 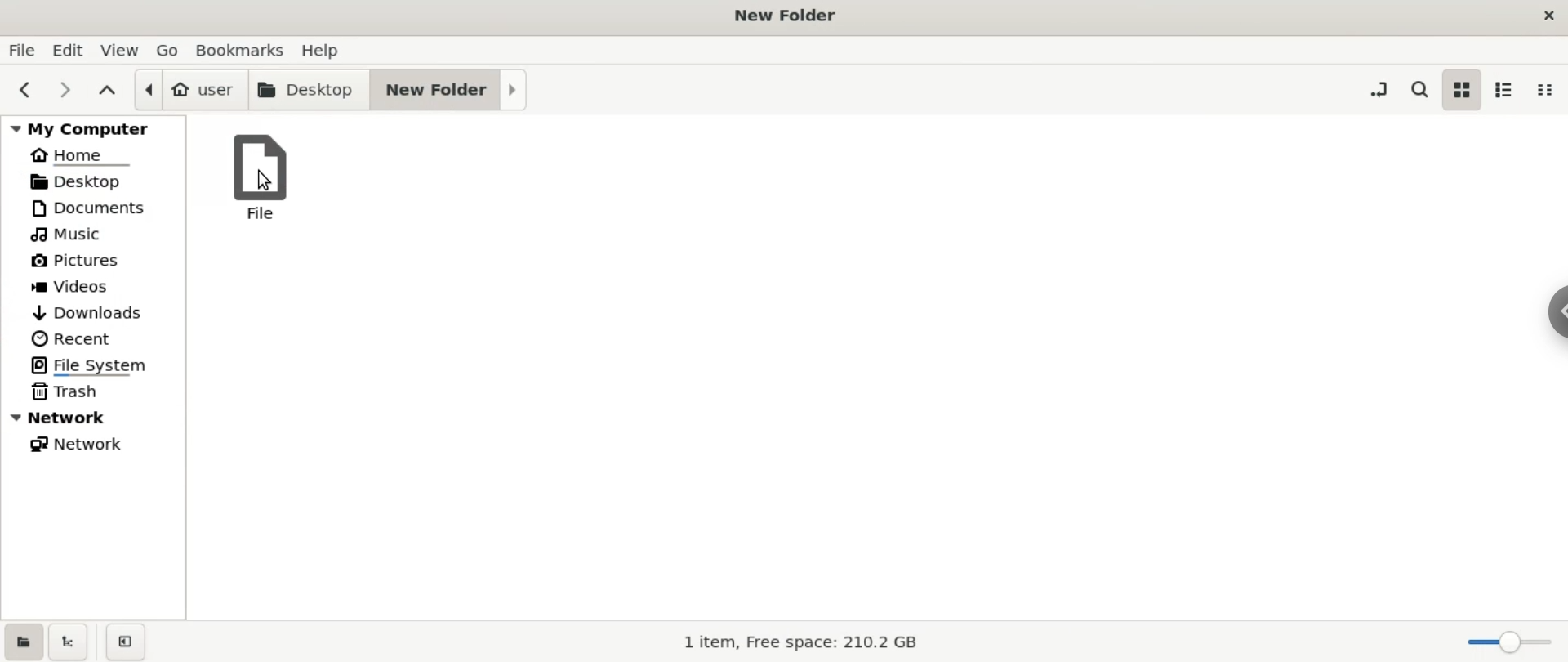 I want to click on cursor, so click(x=266, y=180).